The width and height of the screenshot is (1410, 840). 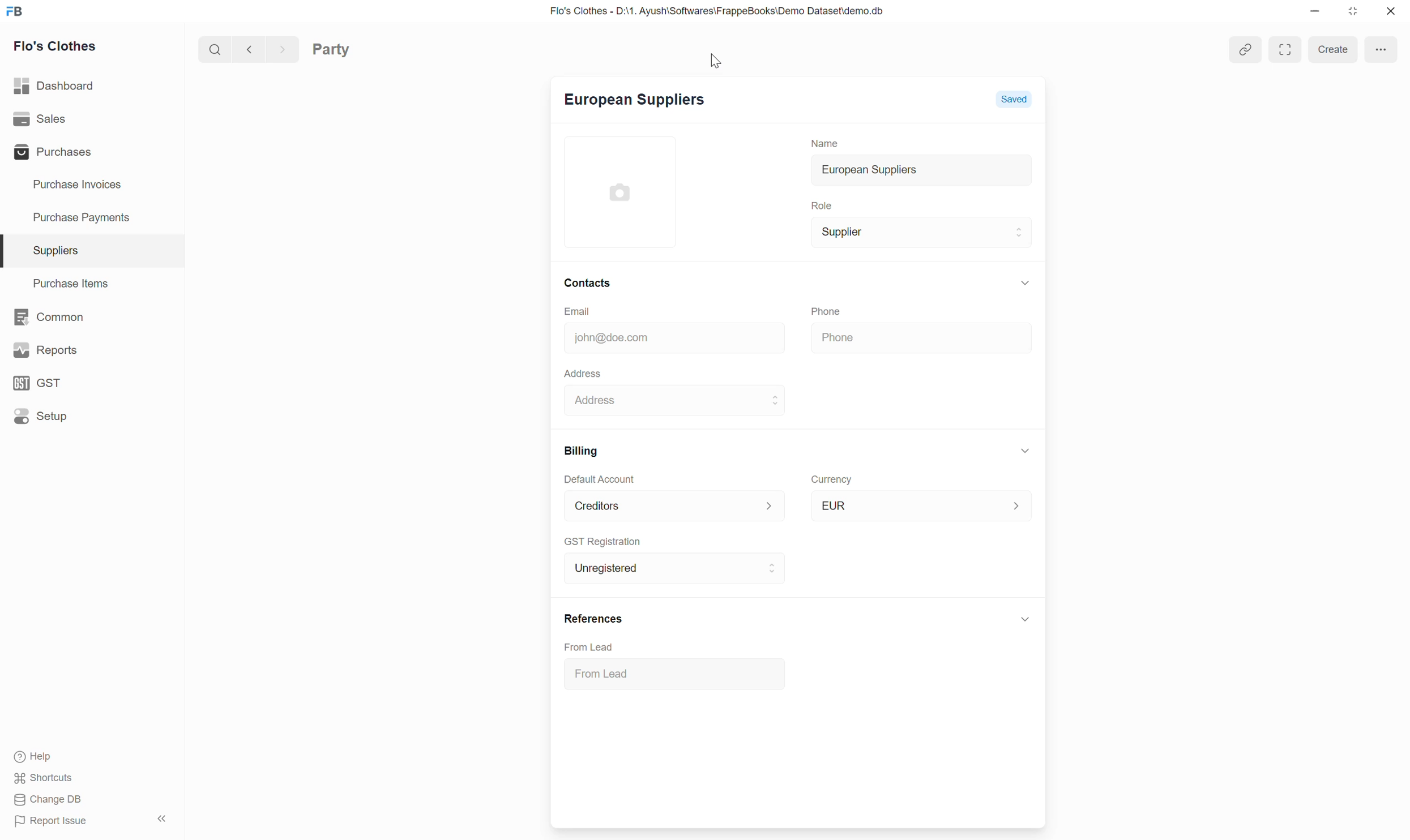 What do you see at coordinates (245, 48) in the screenshot?
I see `go back` at bounding box center [245, 48].